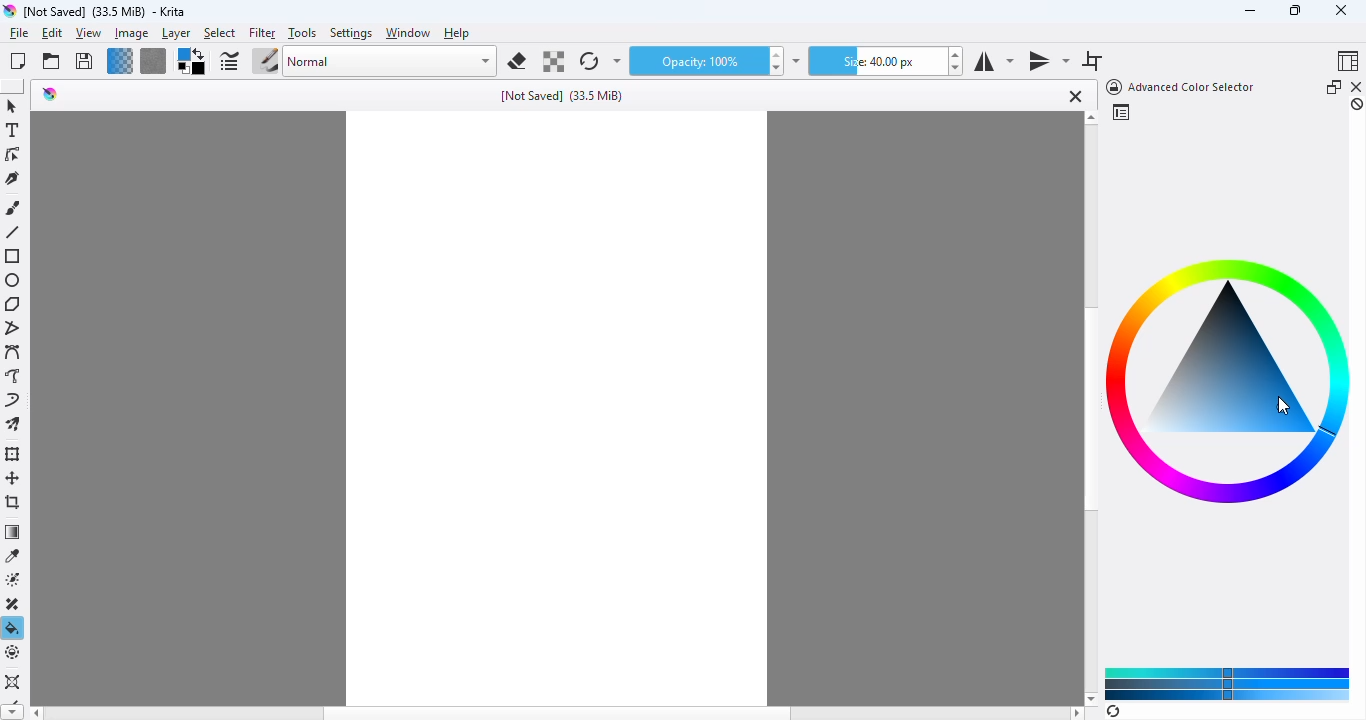 Image resolution: width=1366 pixels, height=720 pixels. What do you see at coordinates (457, 33) in the screenshot?
I see `help` at bounding box center [457, 33].